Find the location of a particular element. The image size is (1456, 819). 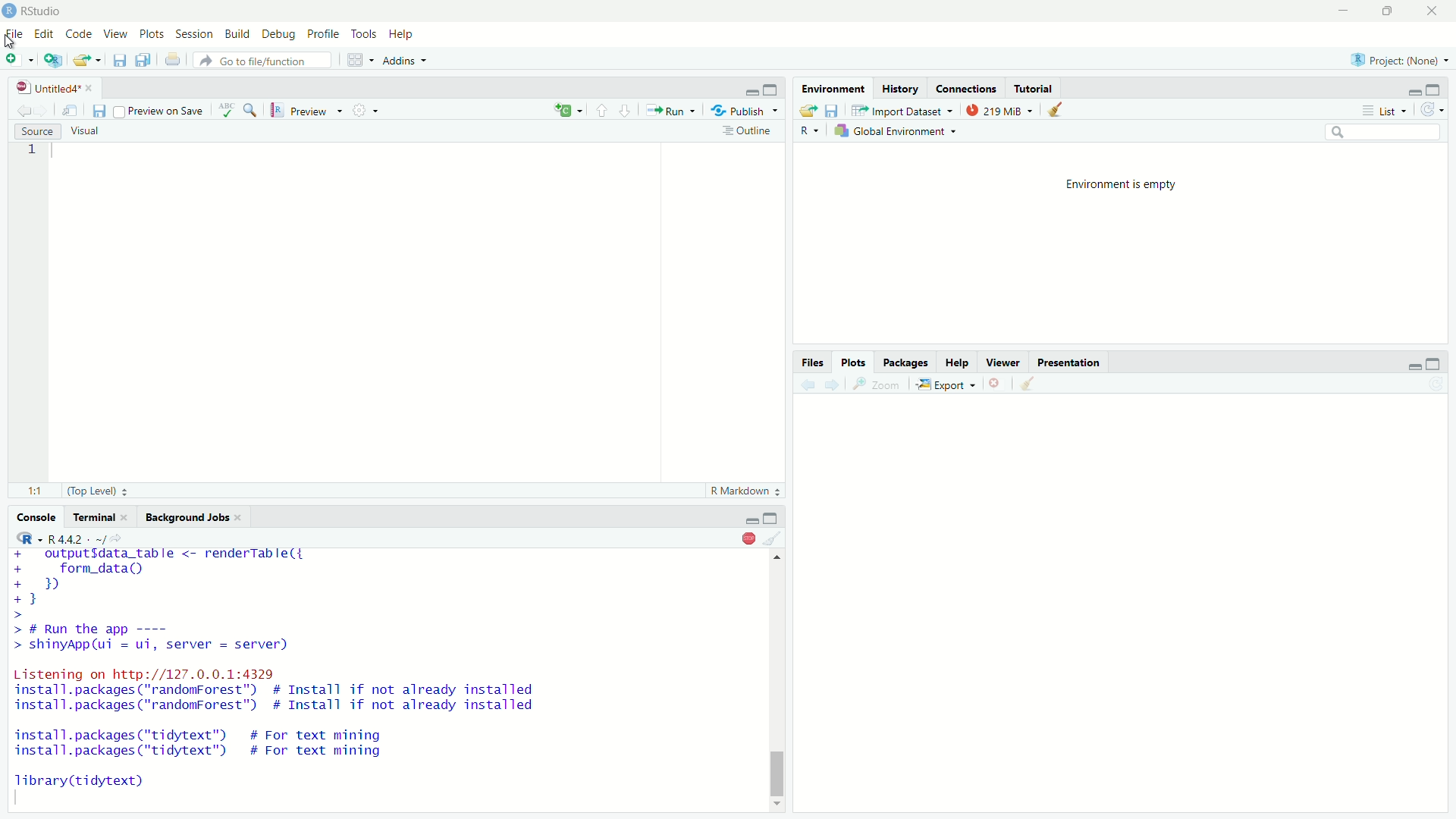

Show in new window is located at coordinates (71, 109).